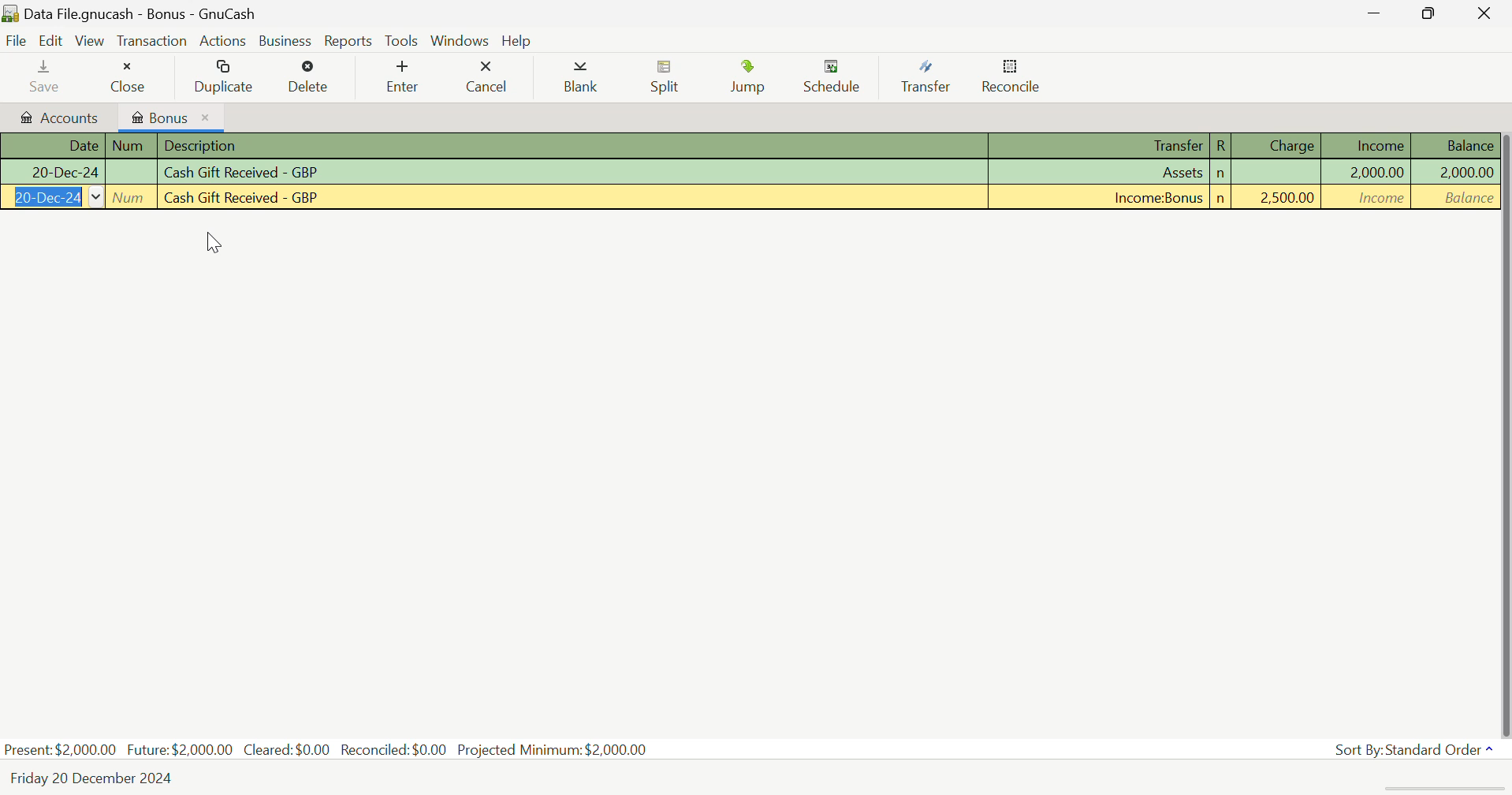 The width and height of the screenshot is (1512, 795). What do you see at coordinates (583, 78) in the screenshot?
I see `Blank` at bounding box center [583, 78].